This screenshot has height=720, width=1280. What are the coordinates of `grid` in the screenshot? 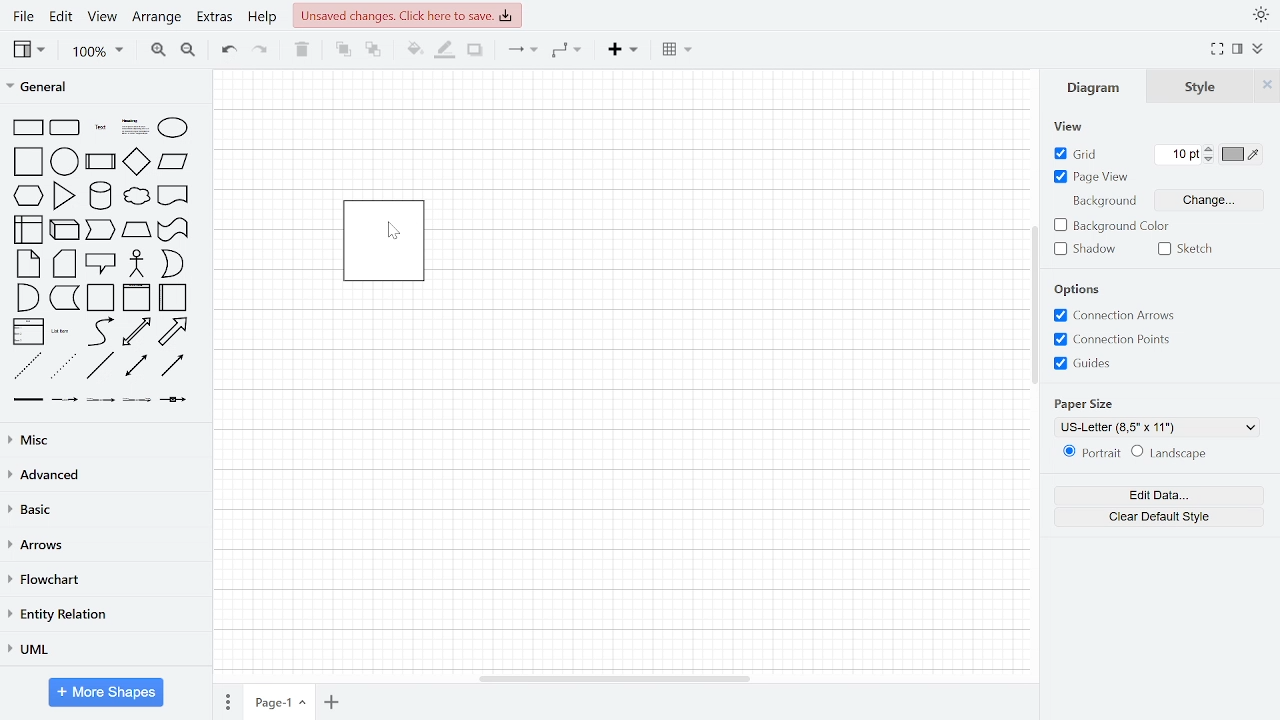 It's located at (1077, 153).